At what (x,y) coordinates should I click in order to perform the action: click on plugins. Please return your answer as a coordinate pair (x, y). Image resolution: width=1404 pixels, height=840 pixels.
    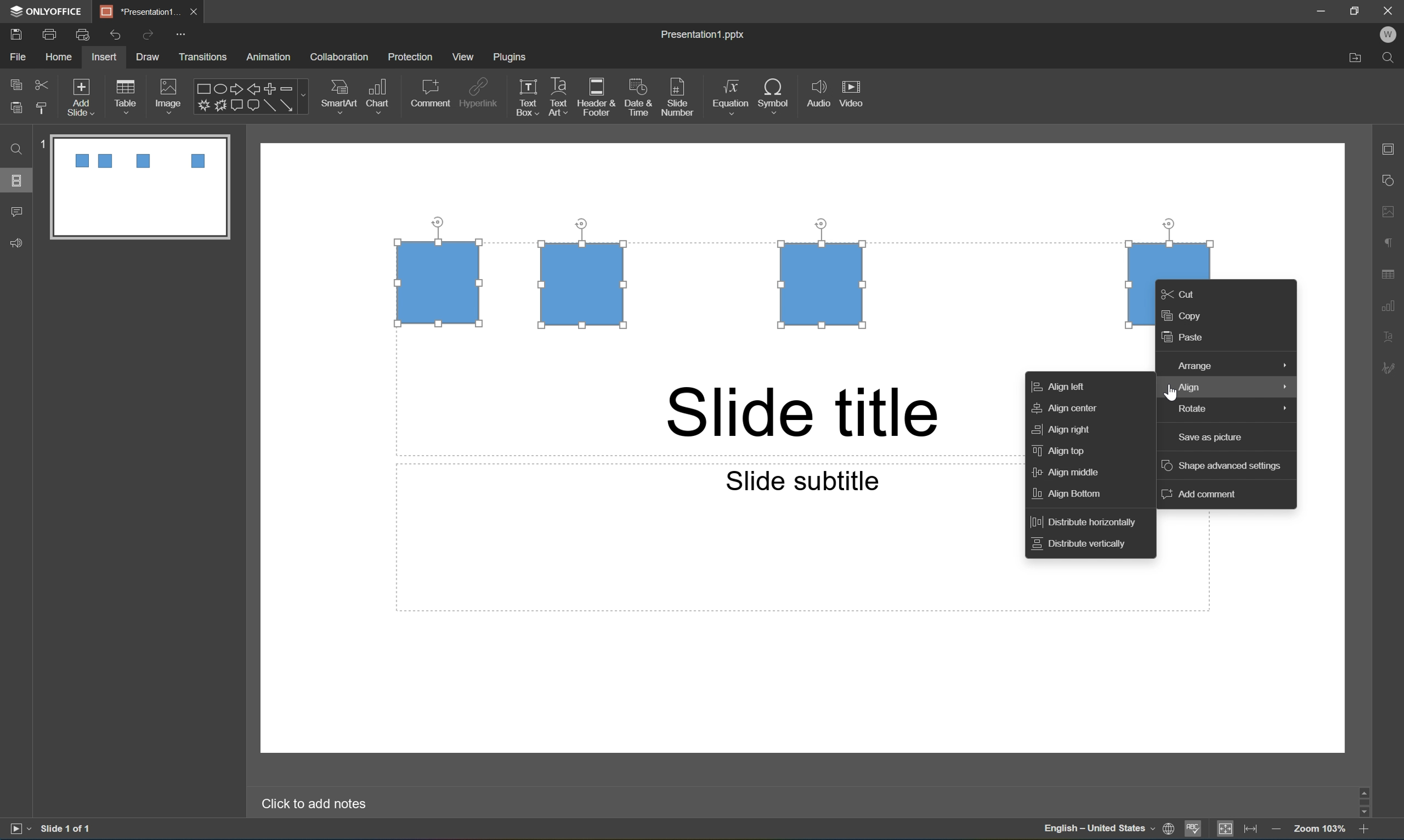
    Looking at the image, I should click on (512, 58).